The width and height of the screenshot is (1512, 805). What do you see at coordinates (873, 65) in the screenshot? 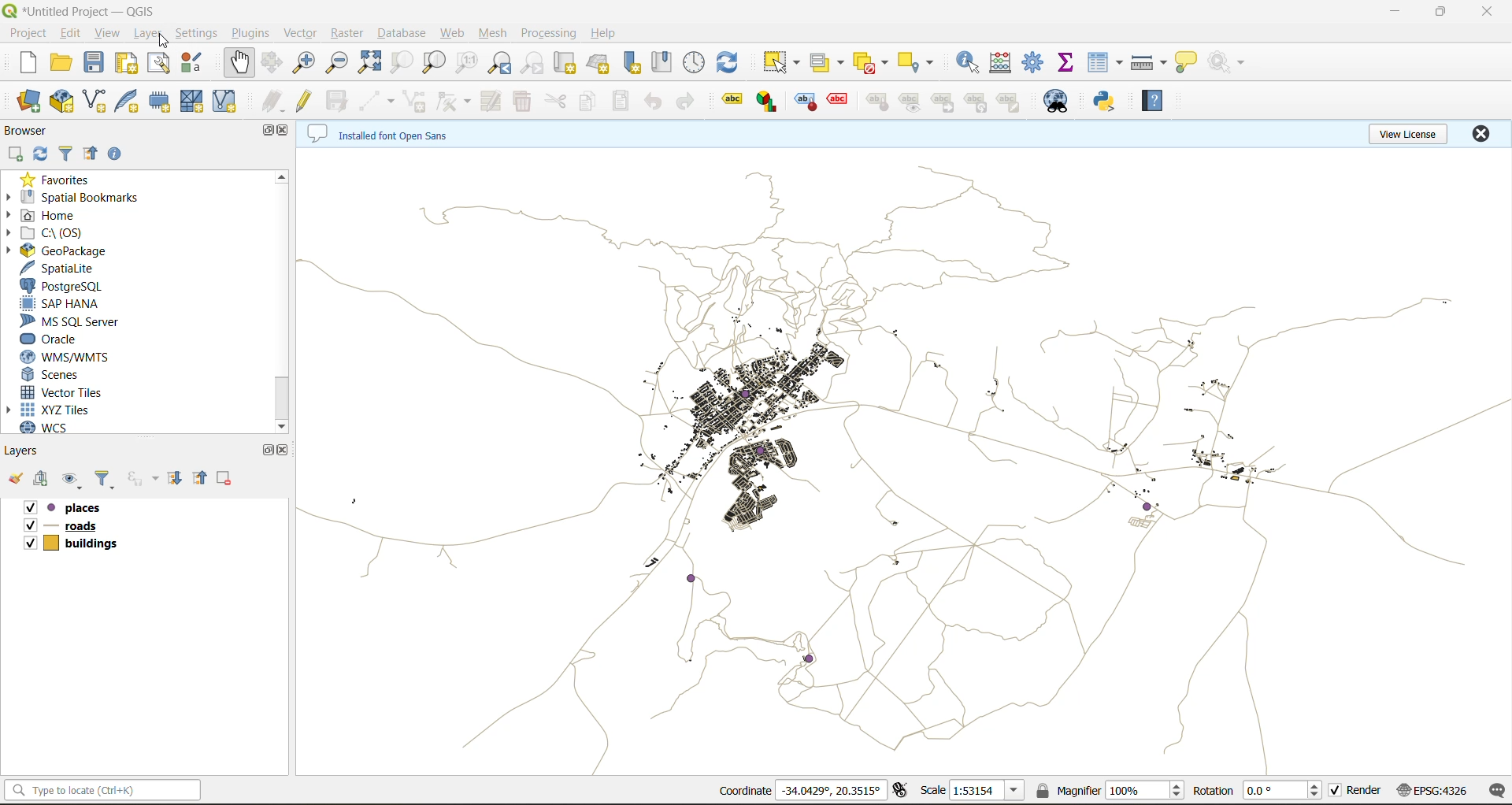
I see `deselect value ` at bounding box center [873, 65].